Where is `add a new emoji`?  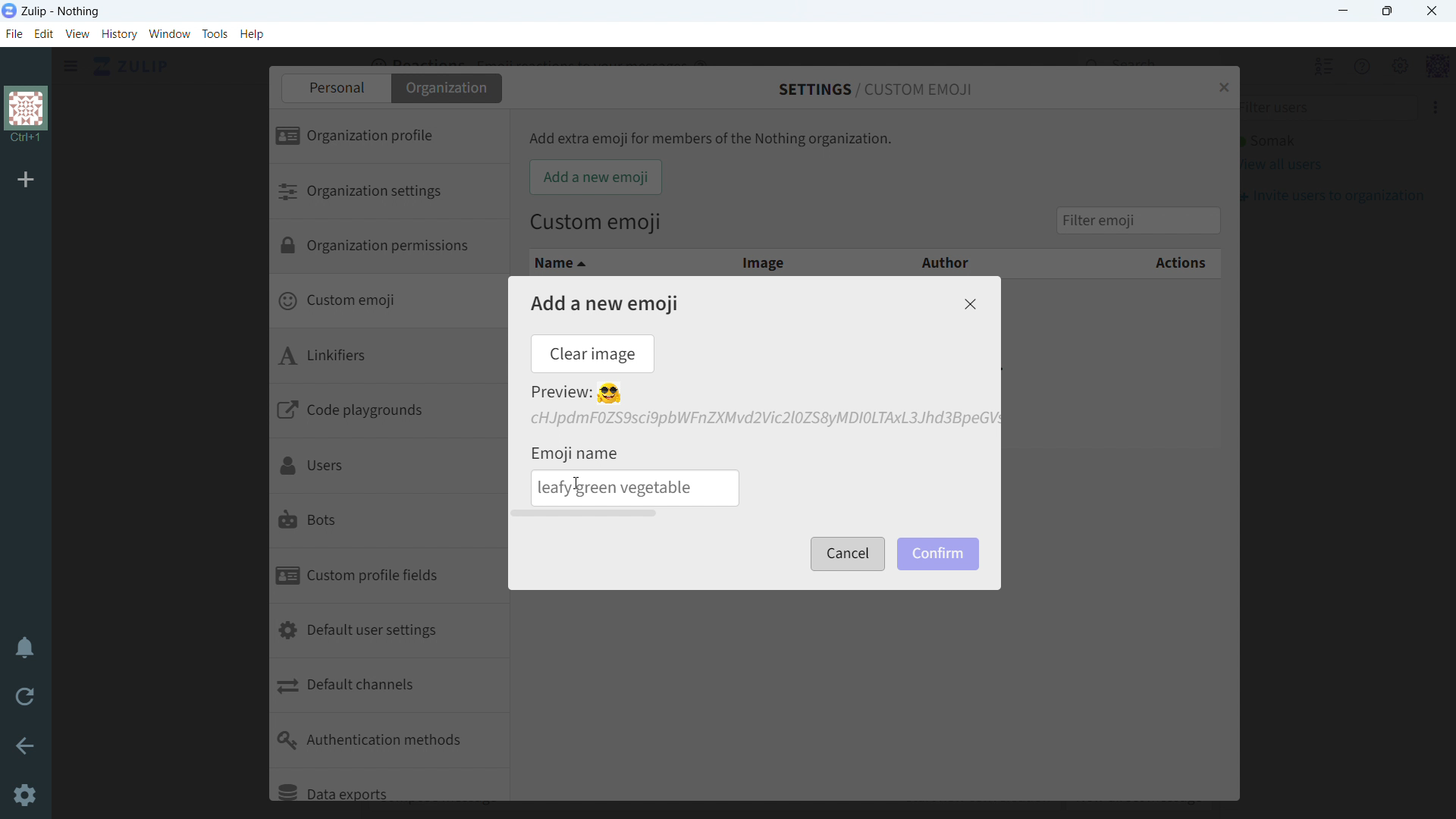
add a new emoji is located at coordinates (604, 303).